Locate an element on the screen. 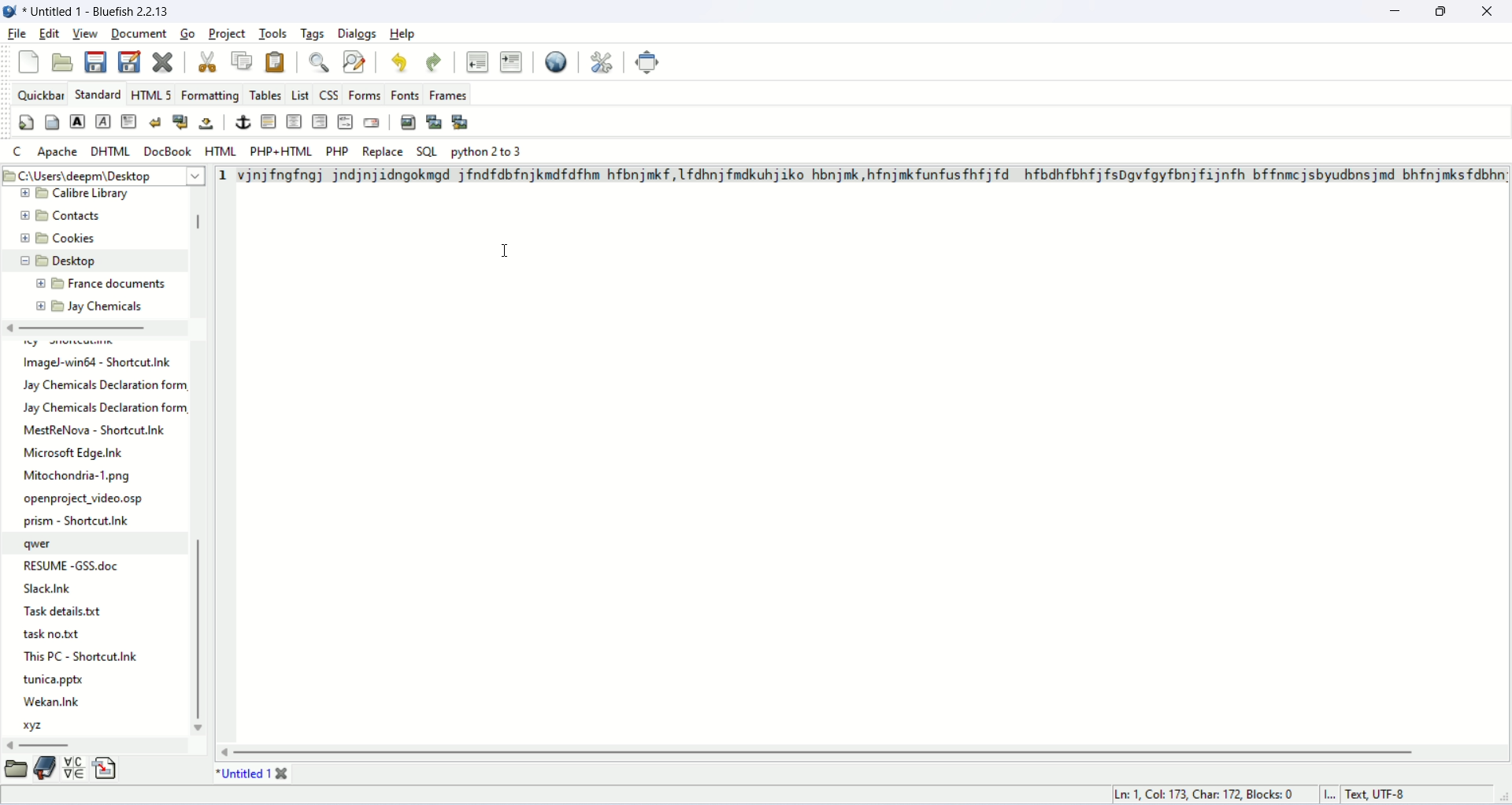 The image size is (1512, 805). Mitochondria-1.png is located at coordinates (80, 477).